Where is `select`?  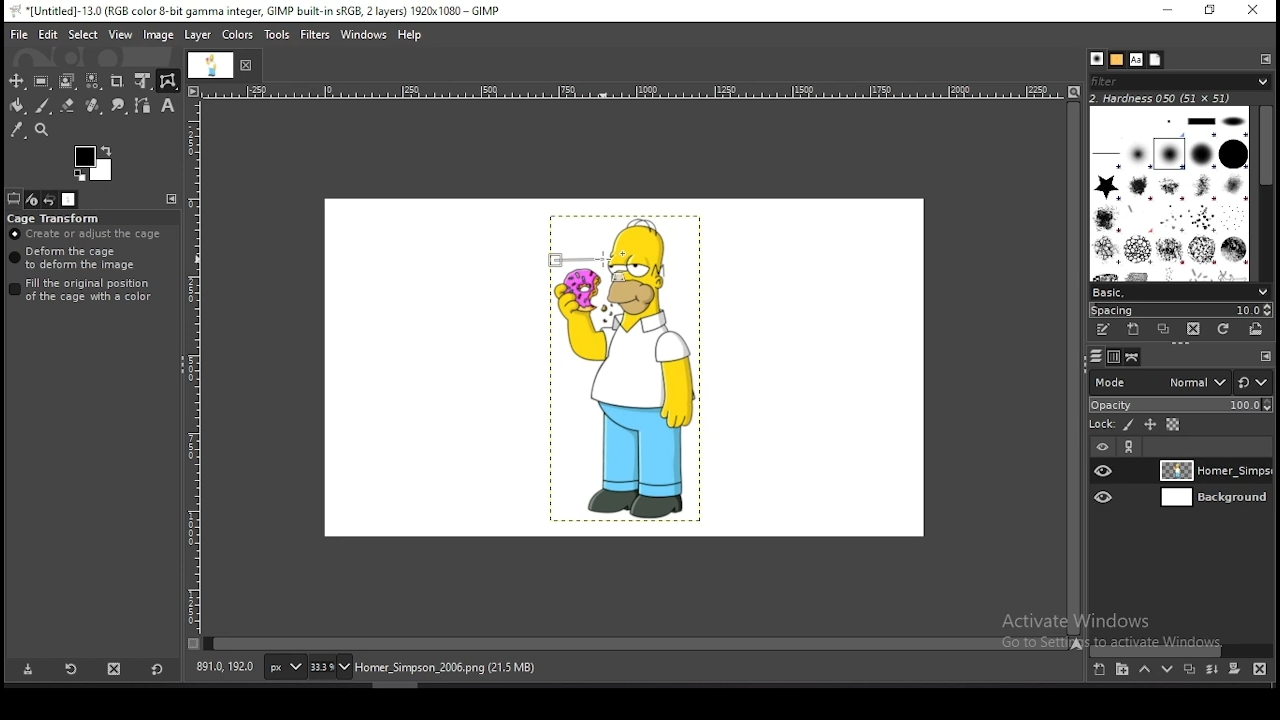 select is located at coordinates (83, 34).